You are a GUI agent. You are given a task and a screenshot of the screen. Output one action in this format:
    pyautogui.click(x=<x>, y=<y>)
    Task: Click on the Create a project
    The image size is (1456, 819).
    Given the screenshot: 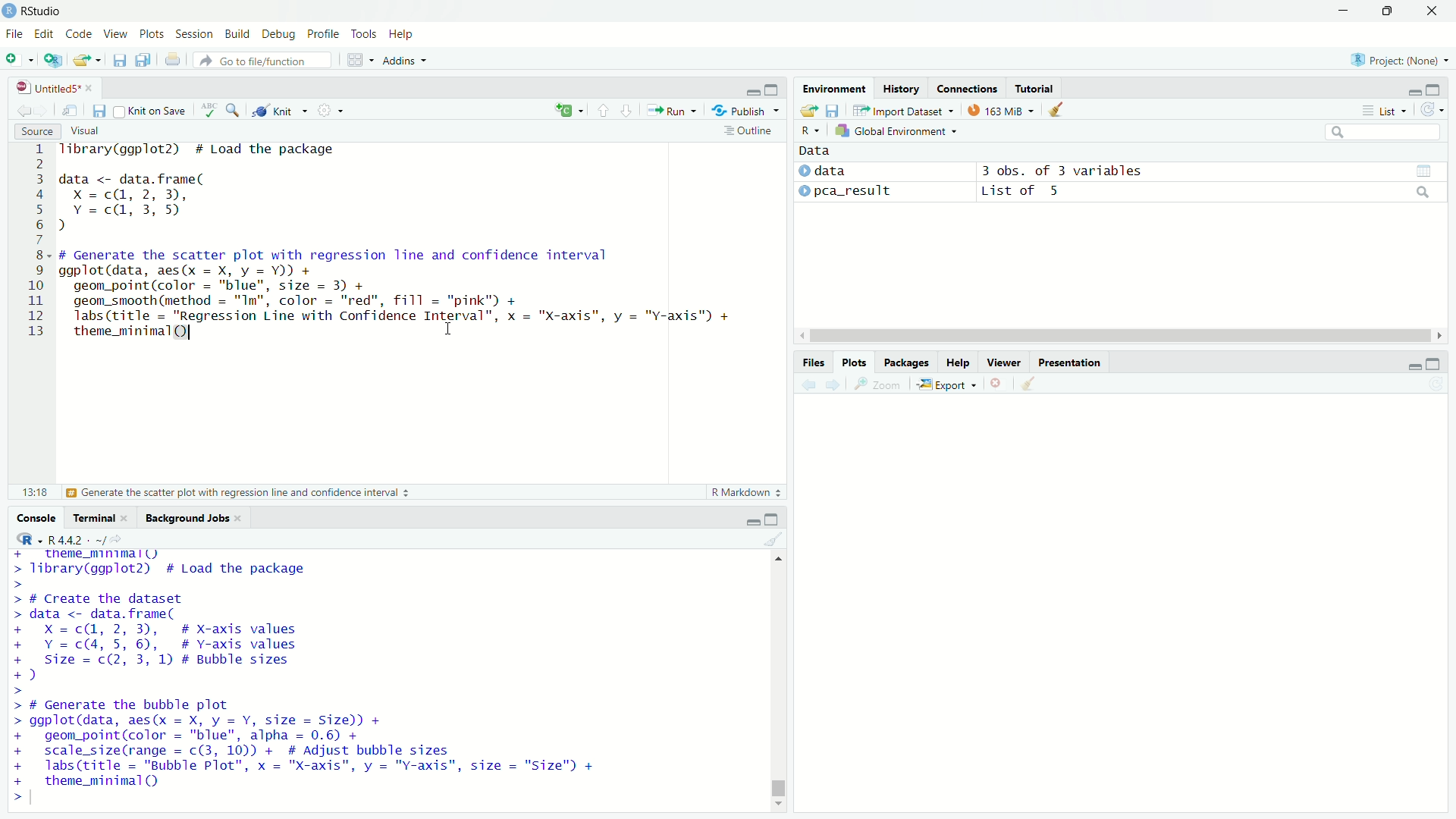 What is the action you would take?
    pyautogui.click(x=52, y=60)
    